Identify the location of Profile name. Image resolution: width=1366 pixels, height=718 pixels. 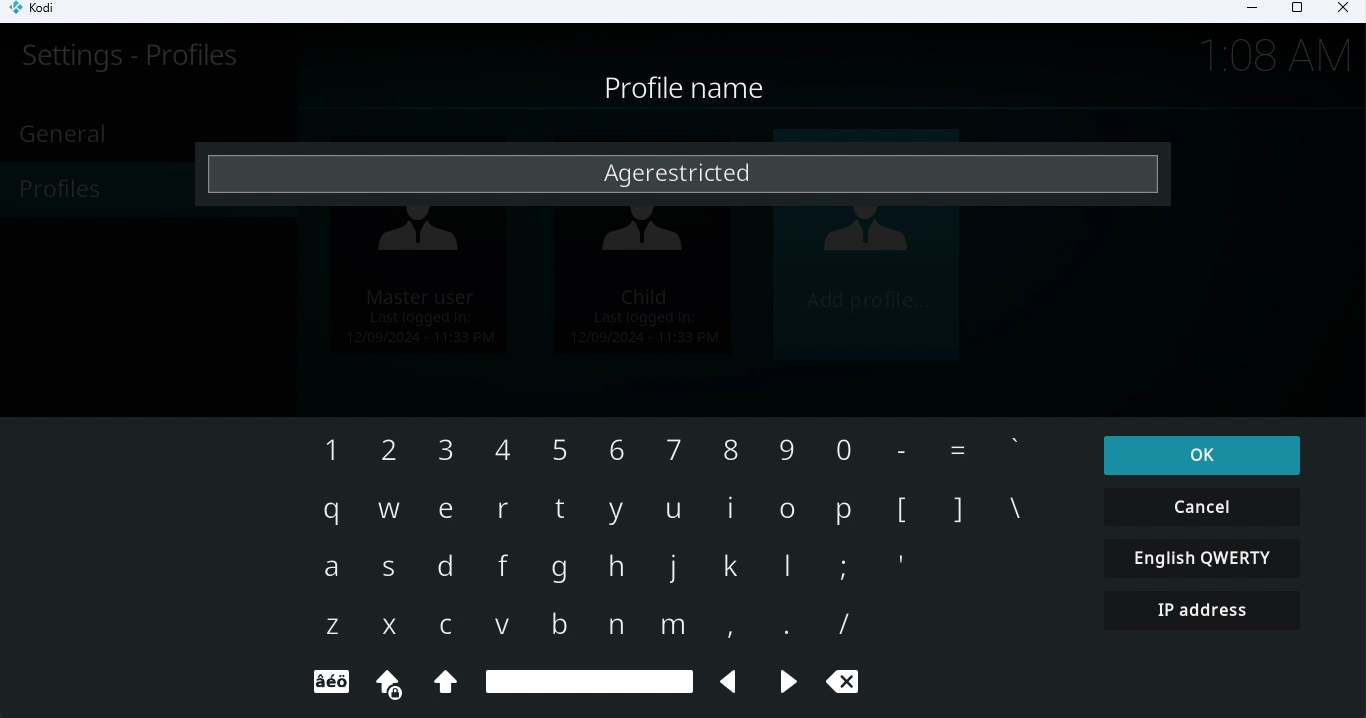
(688, 88).